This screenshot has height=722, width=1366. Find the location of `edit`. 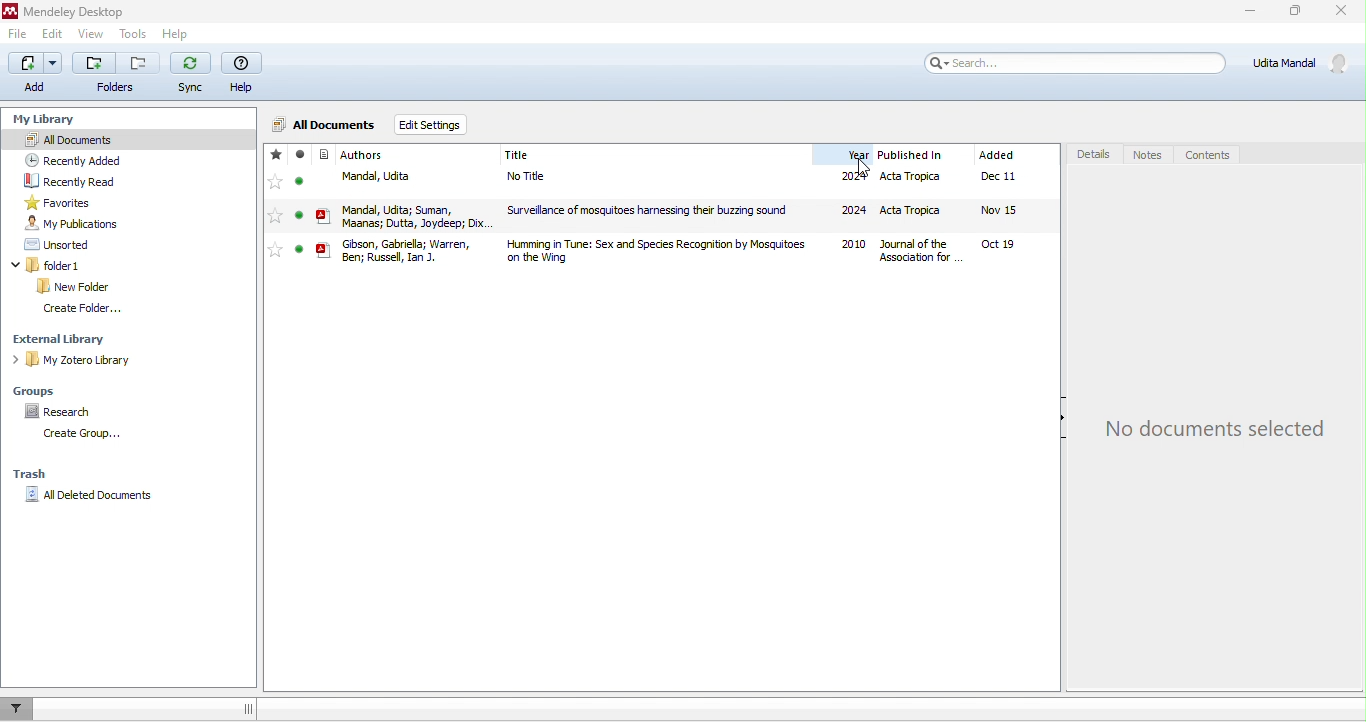

edit is located at coordinates (50, 35).